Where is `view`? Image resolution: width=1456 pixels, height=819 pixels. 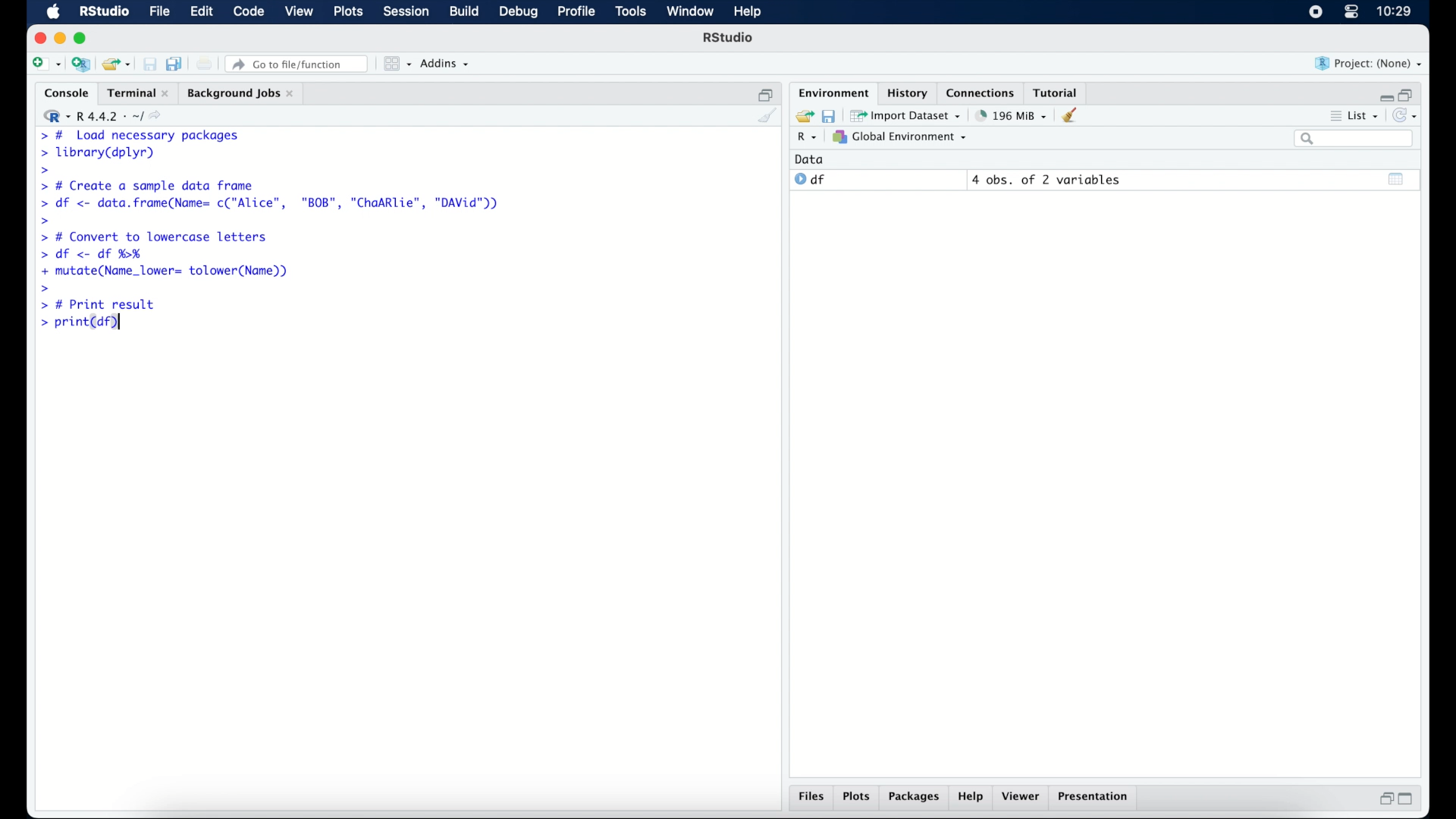
view is located at coordinates (300, 13).